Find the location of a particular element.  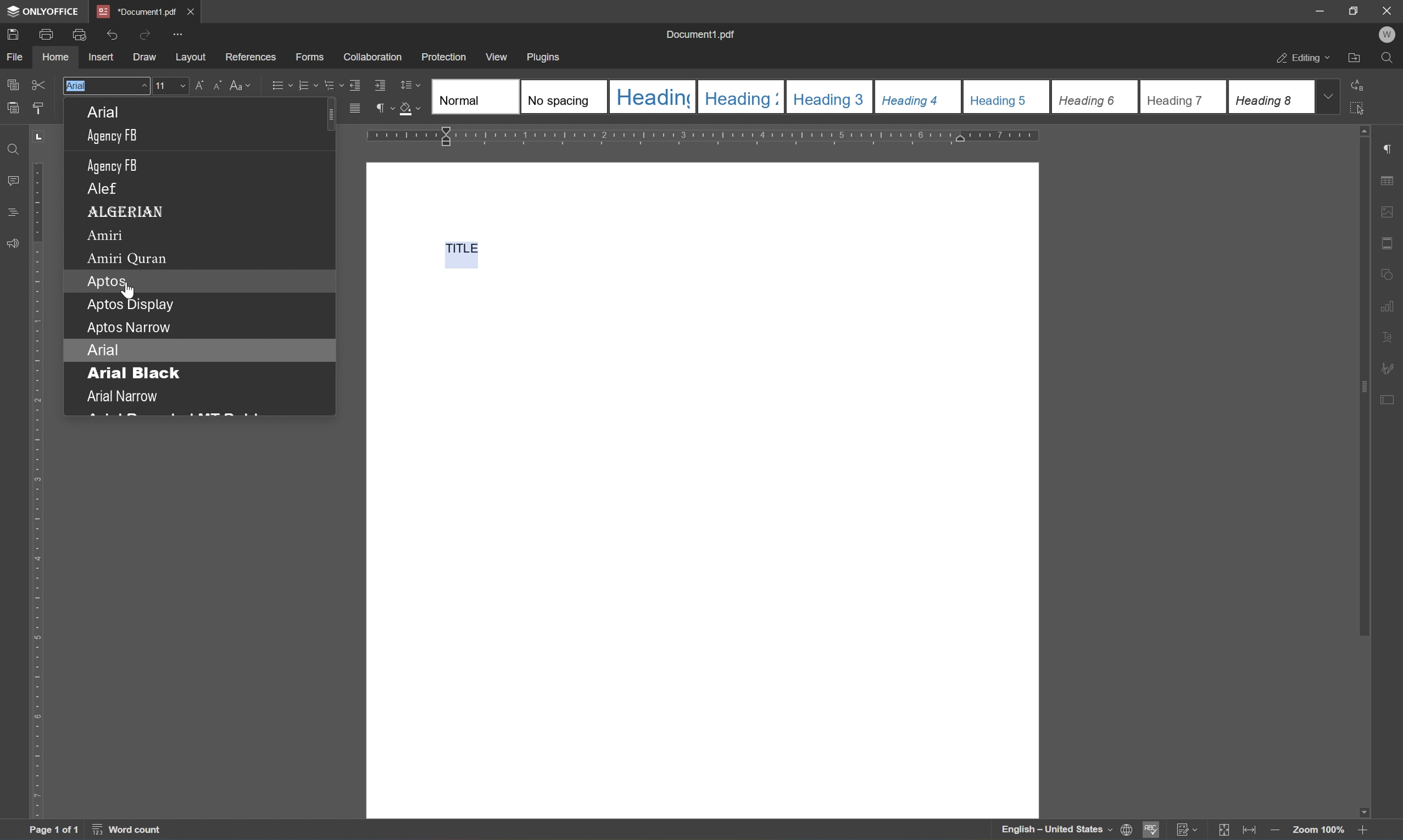

replace is located at coordinates (1355, 86).